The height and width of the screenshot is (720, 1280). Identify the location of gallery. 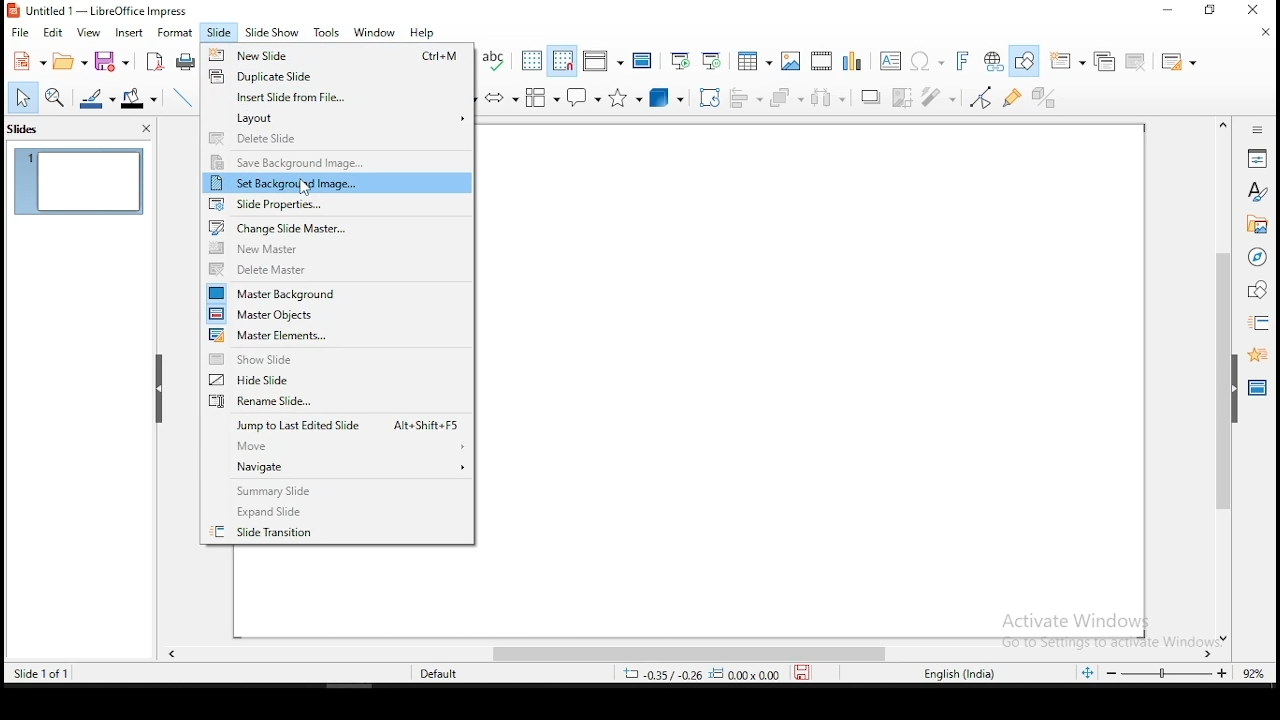
(1259, 226).